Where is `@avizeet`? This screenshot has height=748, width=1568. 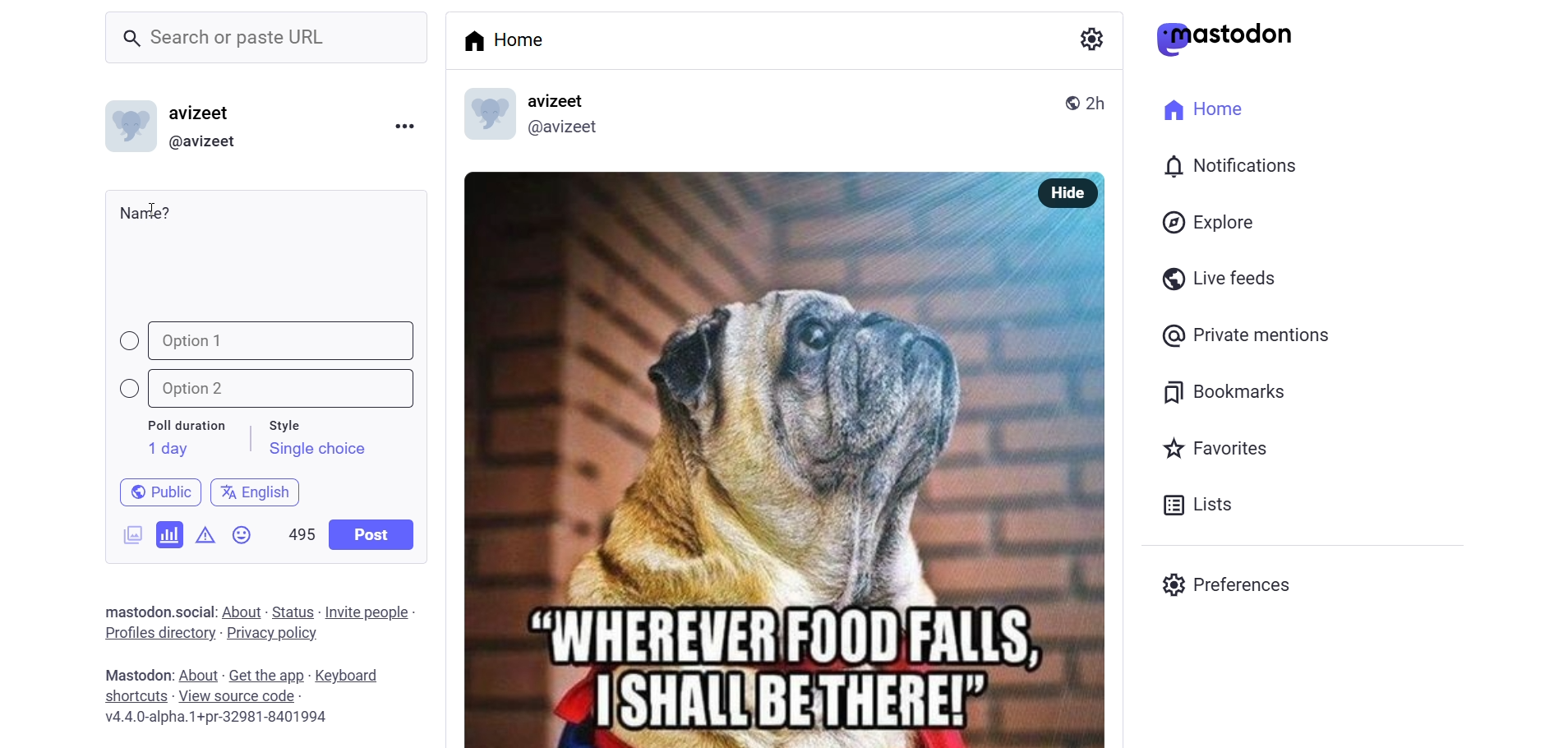 @avizeet is located at coordinates (202, 142).